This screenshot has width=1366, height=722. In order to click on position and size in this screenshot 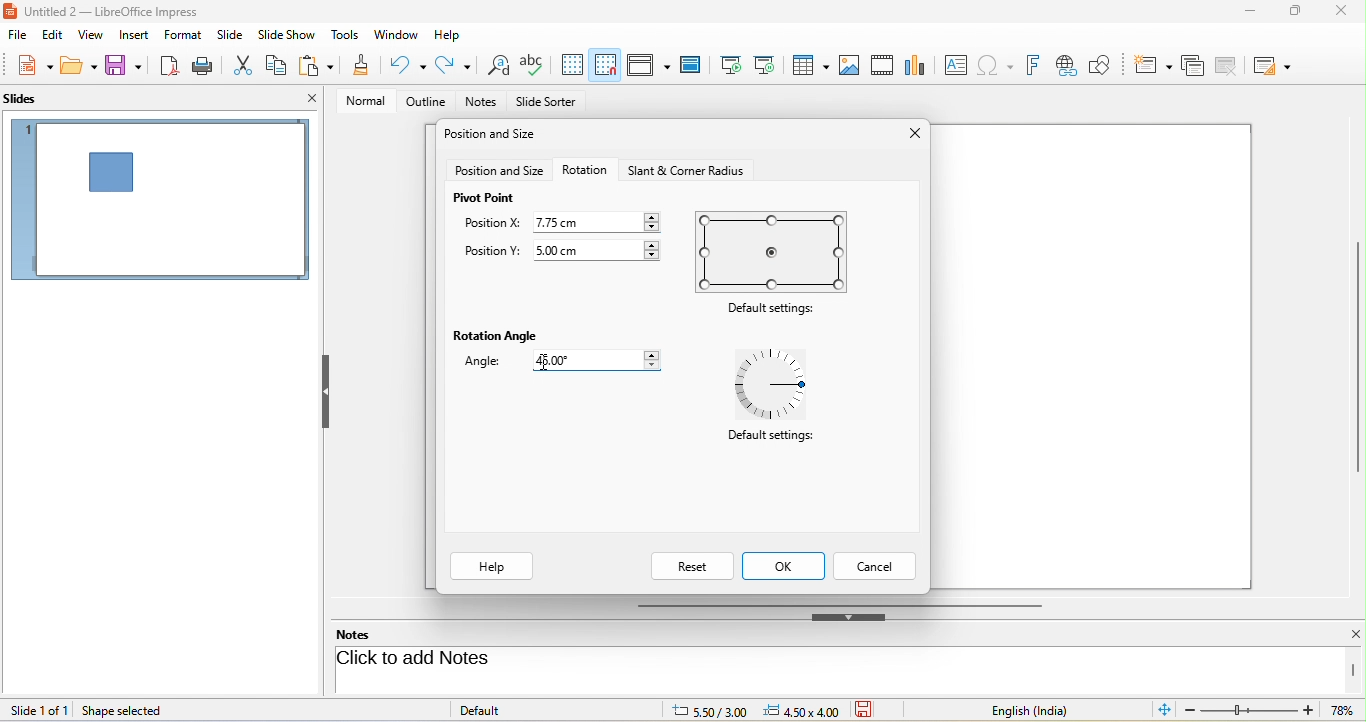, I will do `click(499, 171)`.